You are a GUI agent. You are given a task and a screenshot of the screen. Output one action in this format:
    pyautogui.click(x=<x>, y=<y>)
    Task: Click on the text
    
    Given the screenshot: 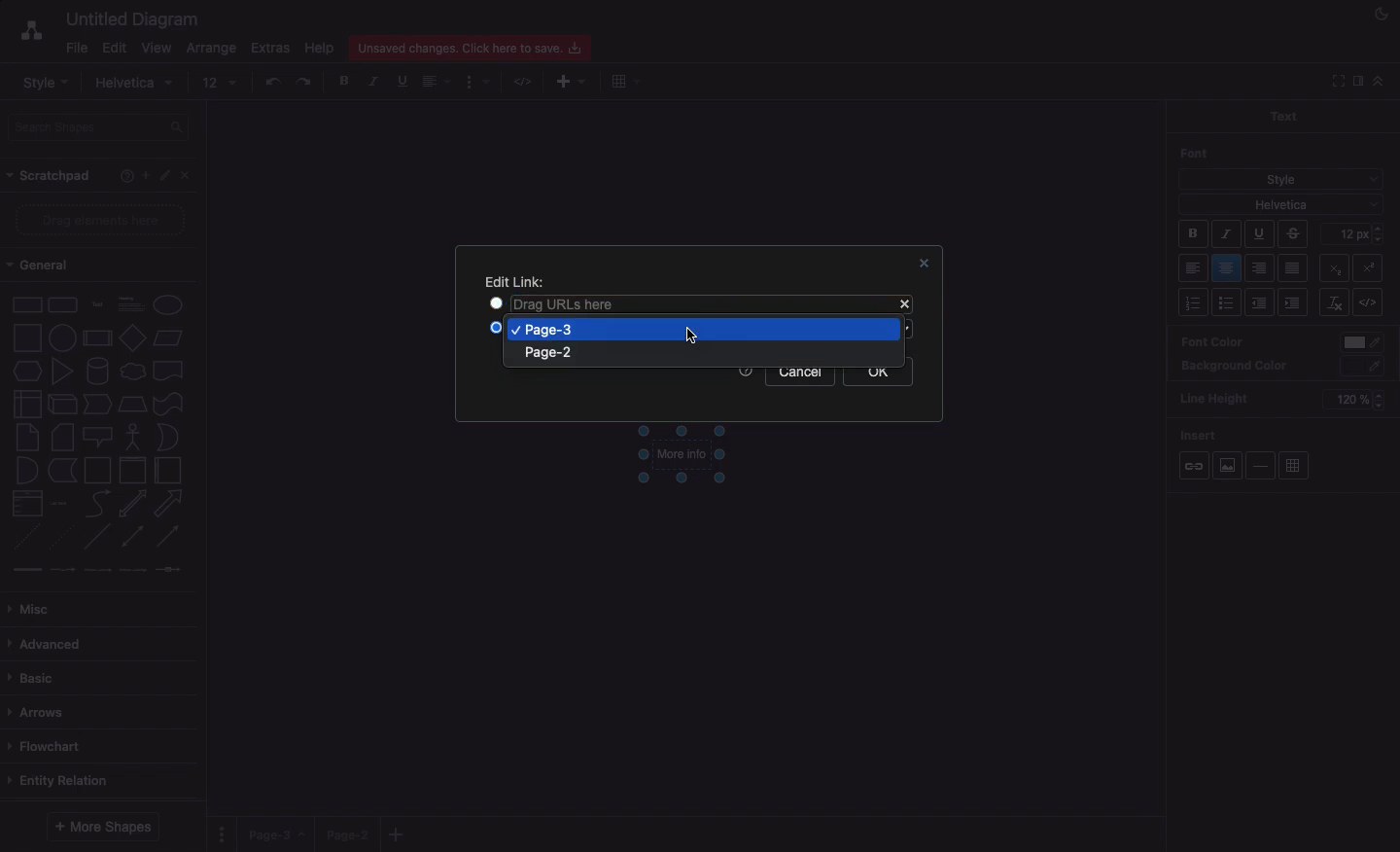 What is the action you would take?
    pyautogui.click(x=98, y=306)
    